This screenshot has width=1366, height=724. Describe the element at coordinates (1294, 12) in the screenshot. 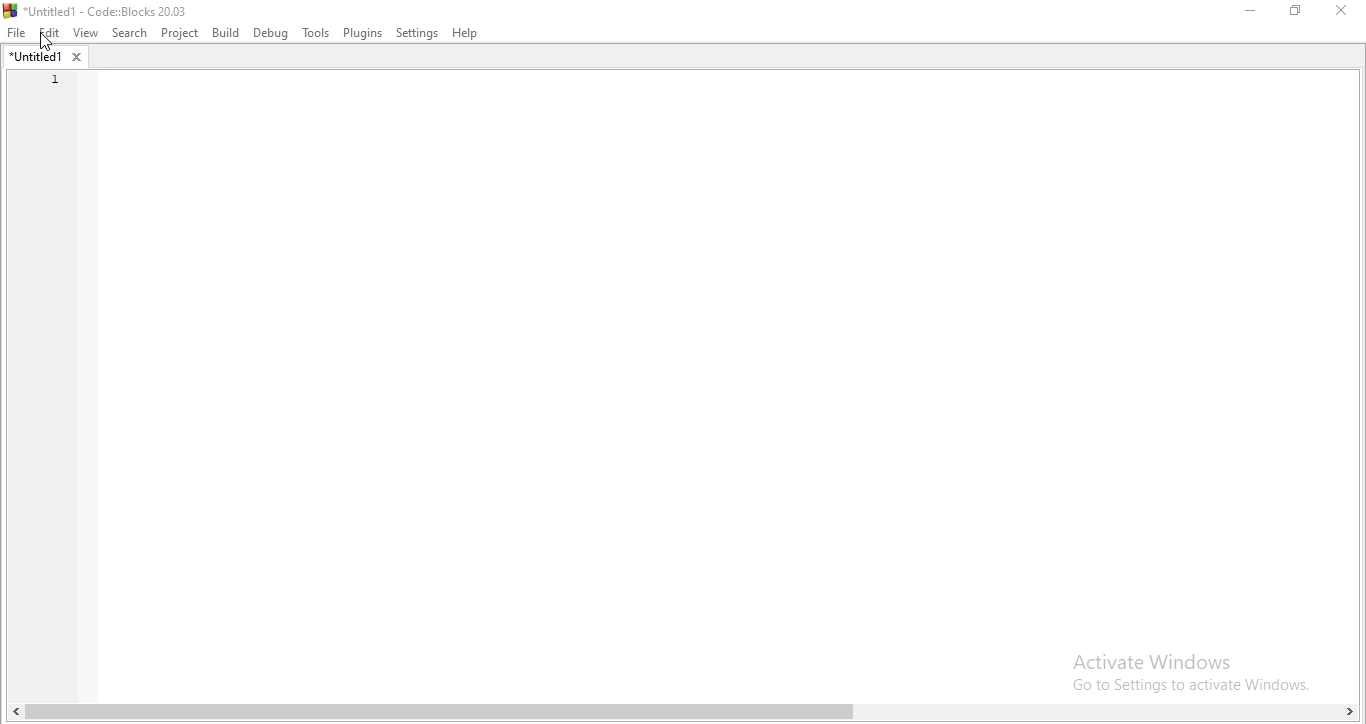

I see `Restore` at that location.